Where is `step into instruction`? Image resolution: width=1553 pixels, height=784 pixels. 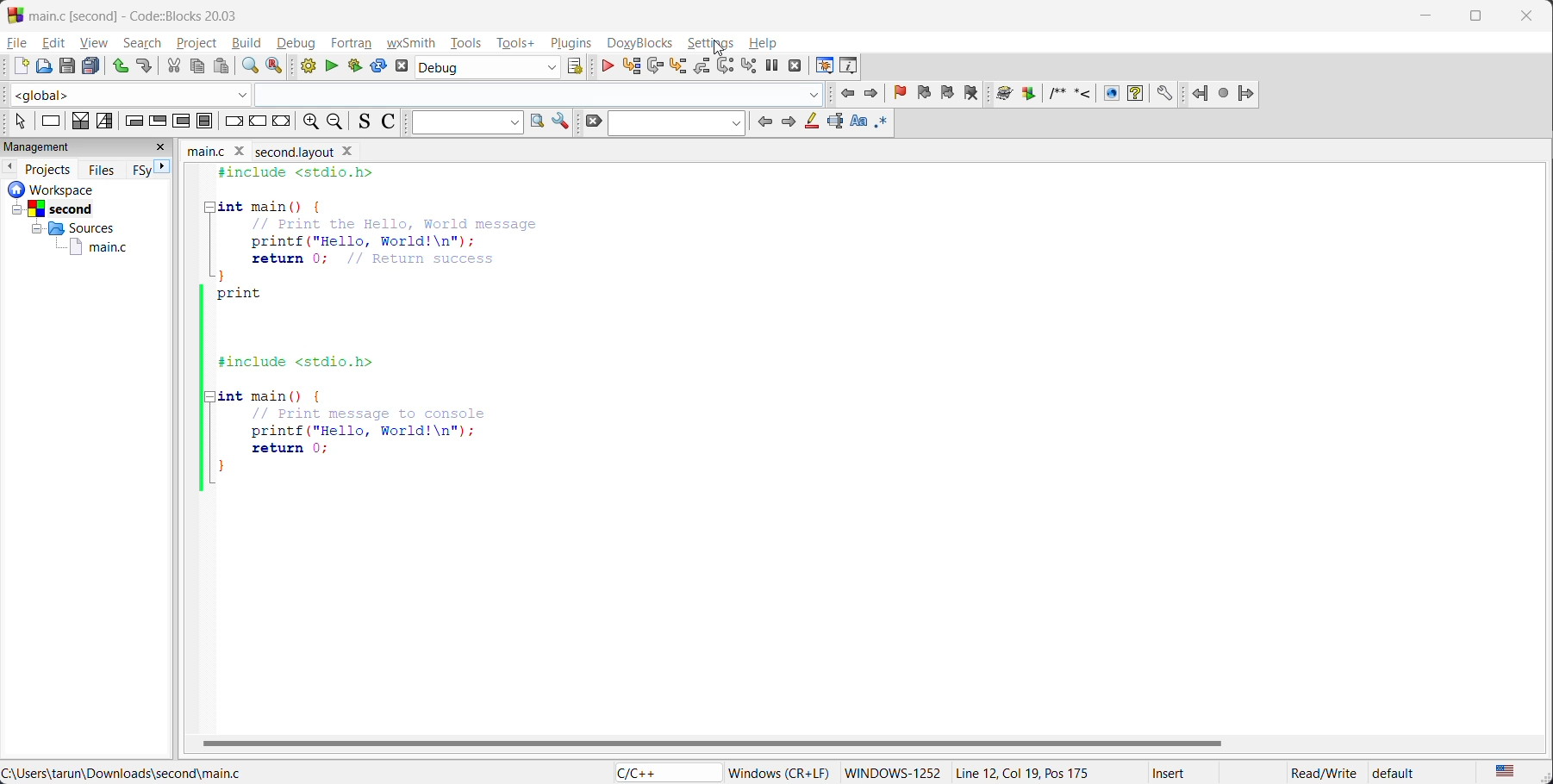
step into instruction is located at coordinates (752, 65).